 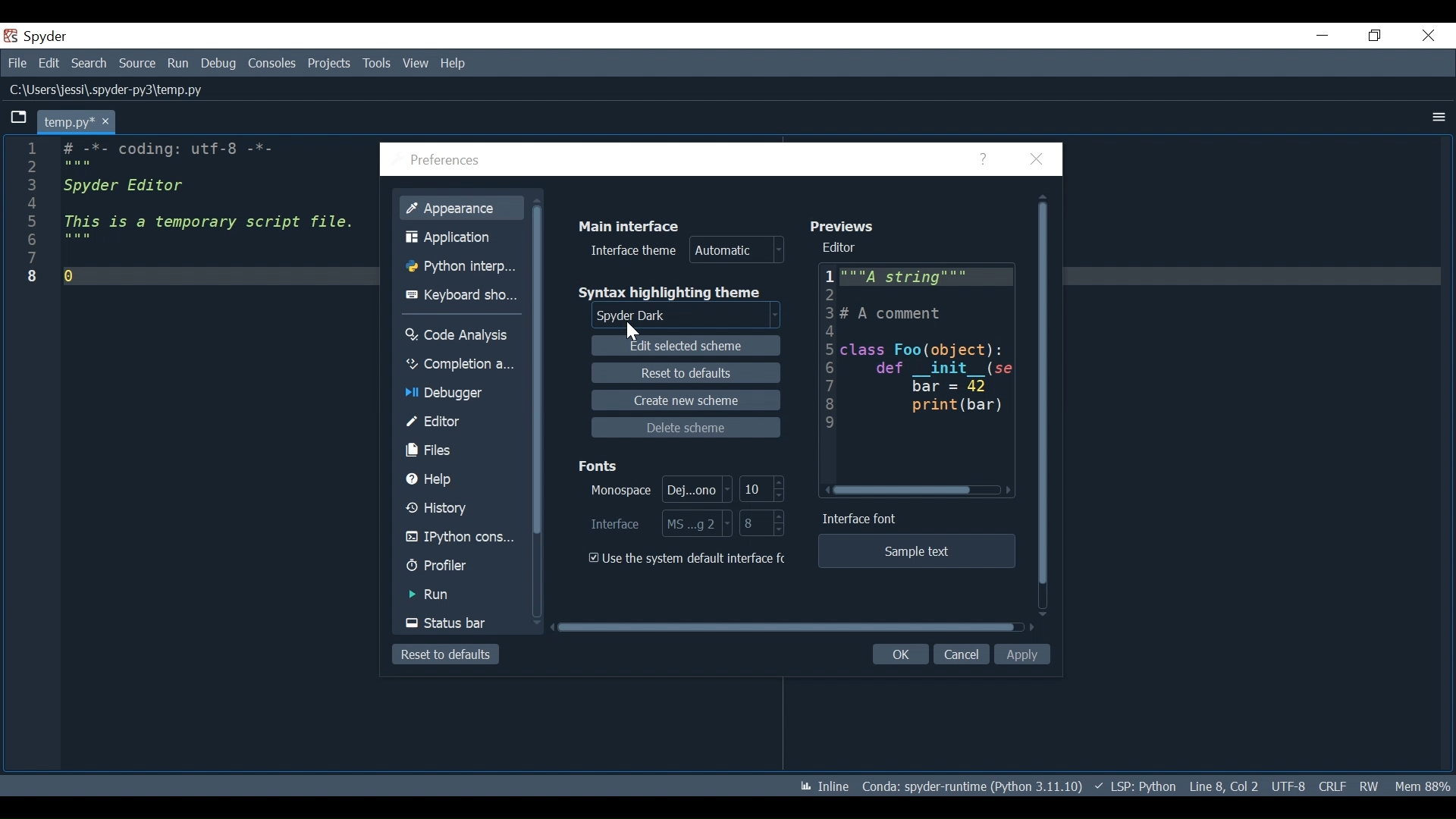 I want to click on Debugger, so click(x=462, y=394).